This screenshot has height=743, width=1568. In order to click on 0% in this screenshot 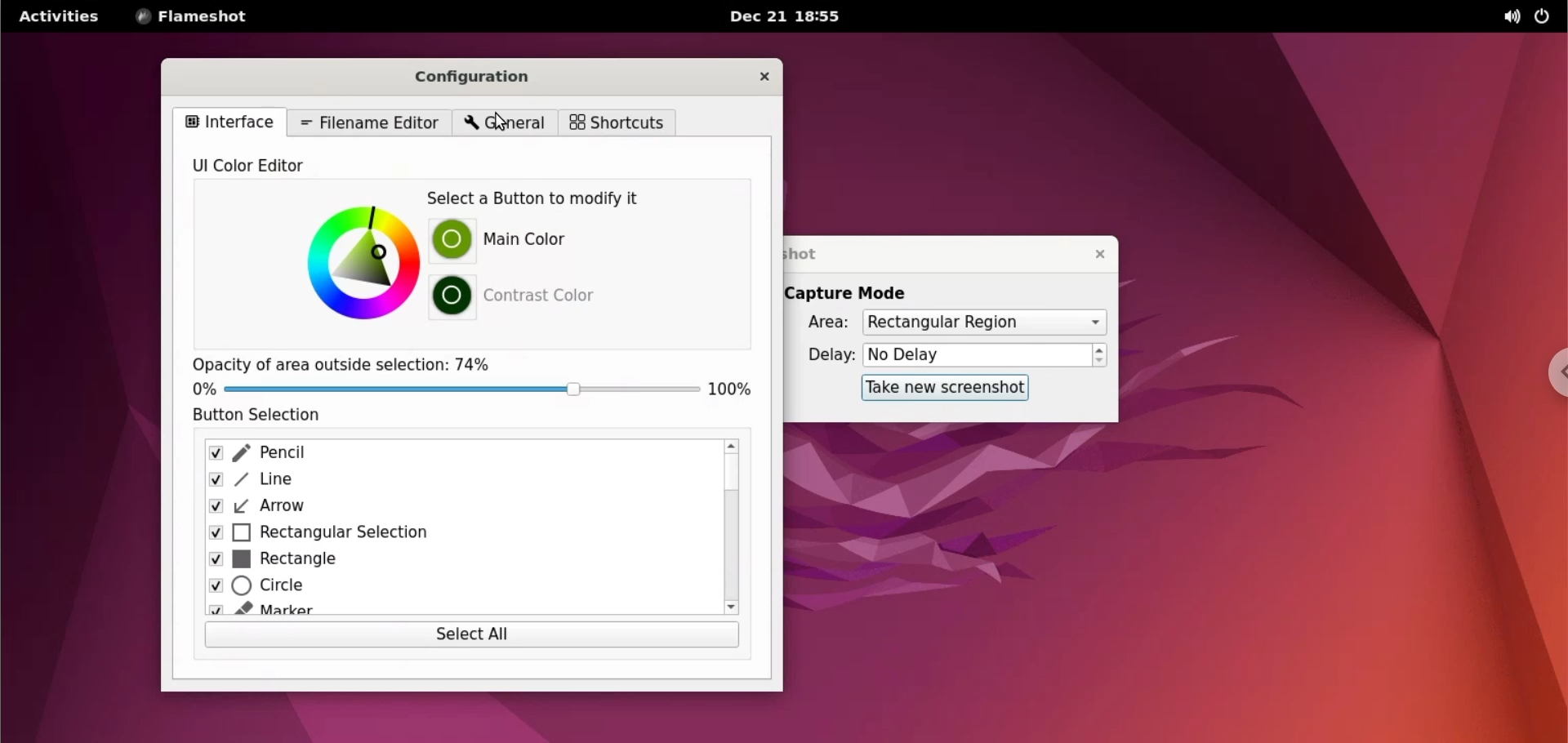, I will do `click(198, 389)`.